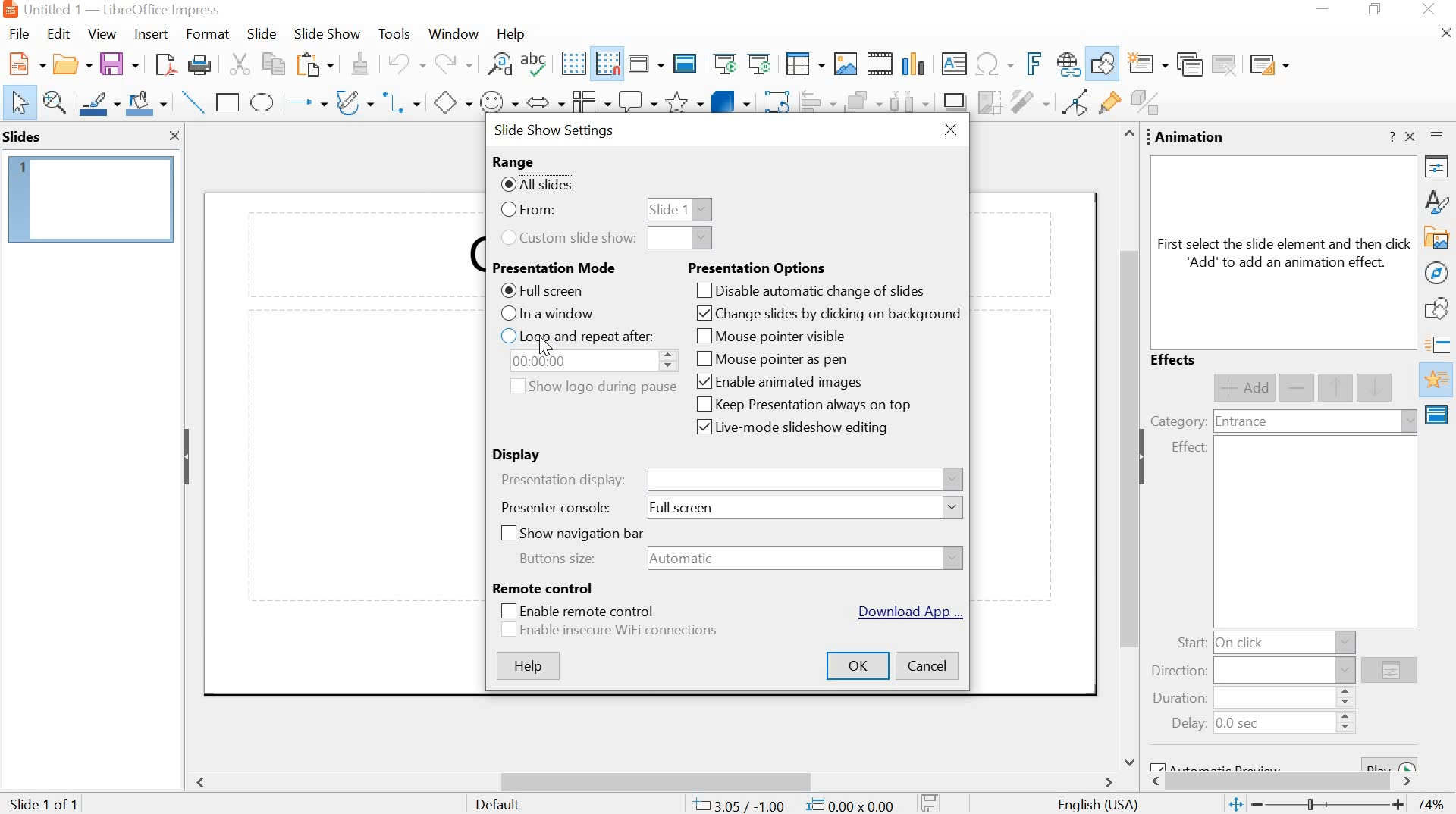  I want to click on edit menu, so click(58, 34).